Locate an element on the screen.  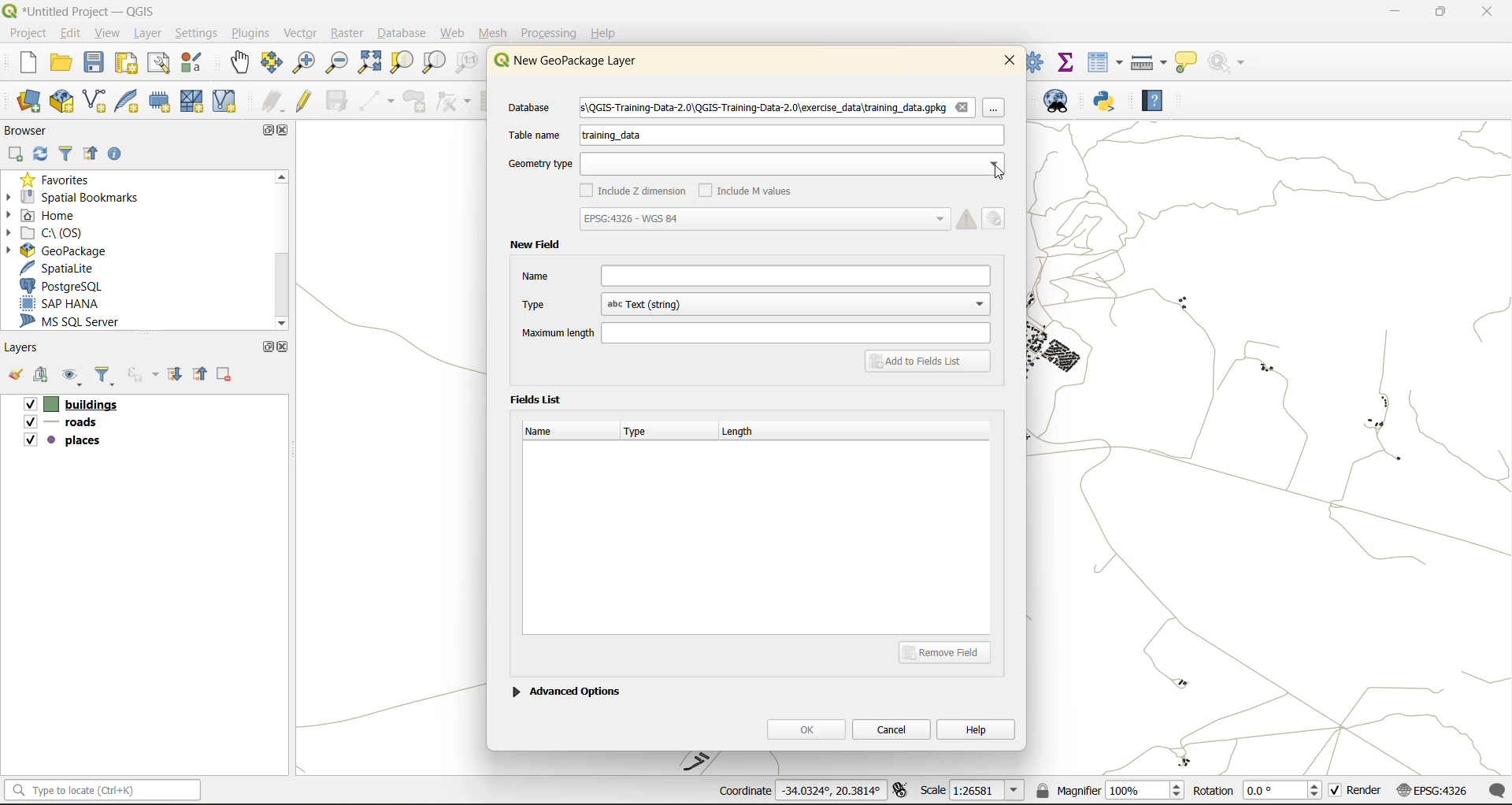
Scroll bar is located at coordinates (280, 250).